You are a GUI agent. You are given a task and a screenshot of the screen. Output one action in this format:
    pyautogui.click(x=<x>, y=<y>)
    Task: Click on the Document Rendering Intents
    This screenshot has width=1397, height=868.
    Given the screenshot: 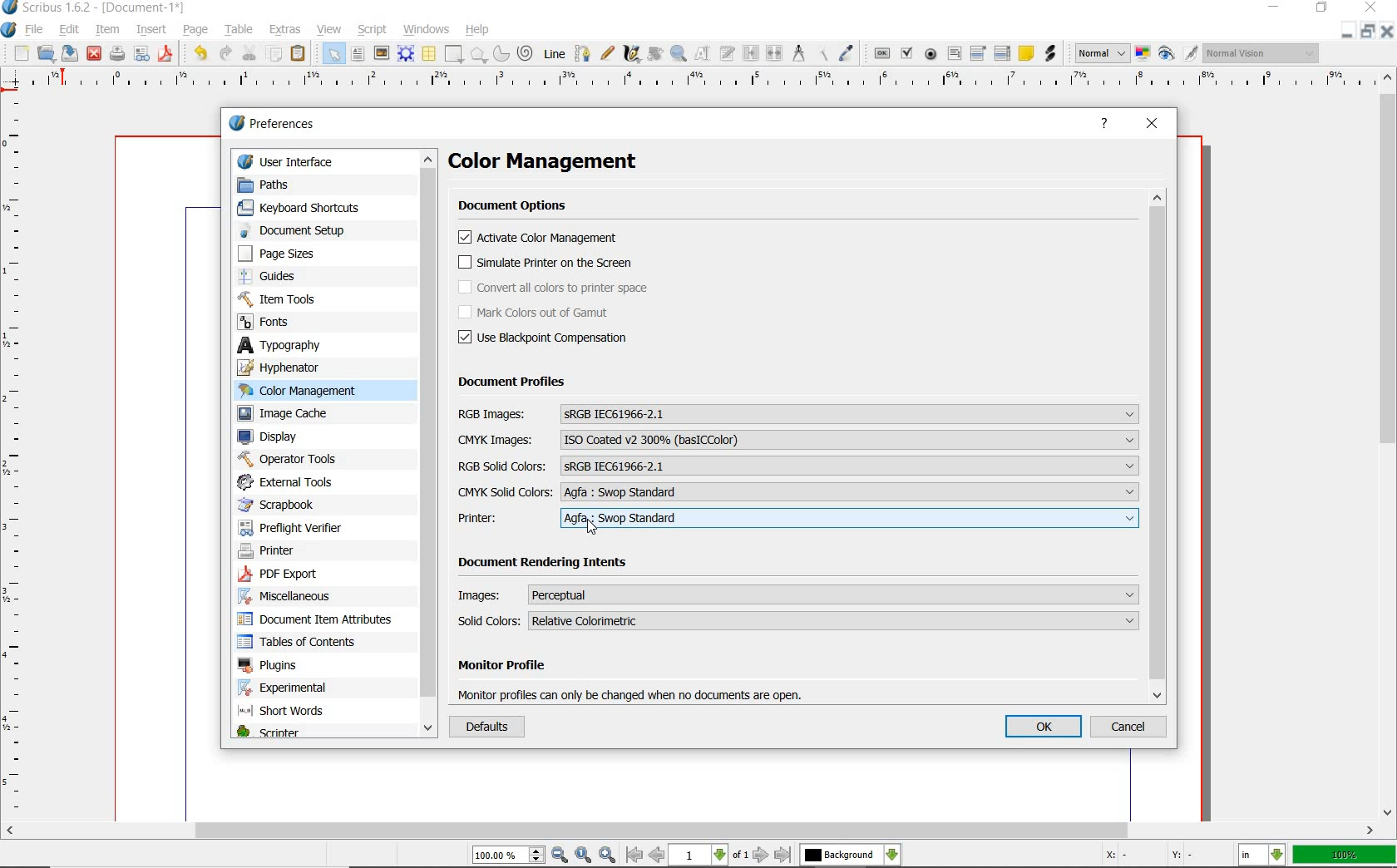 What is the action you would take?
    pyautogui.click(x=545, y=565)
    